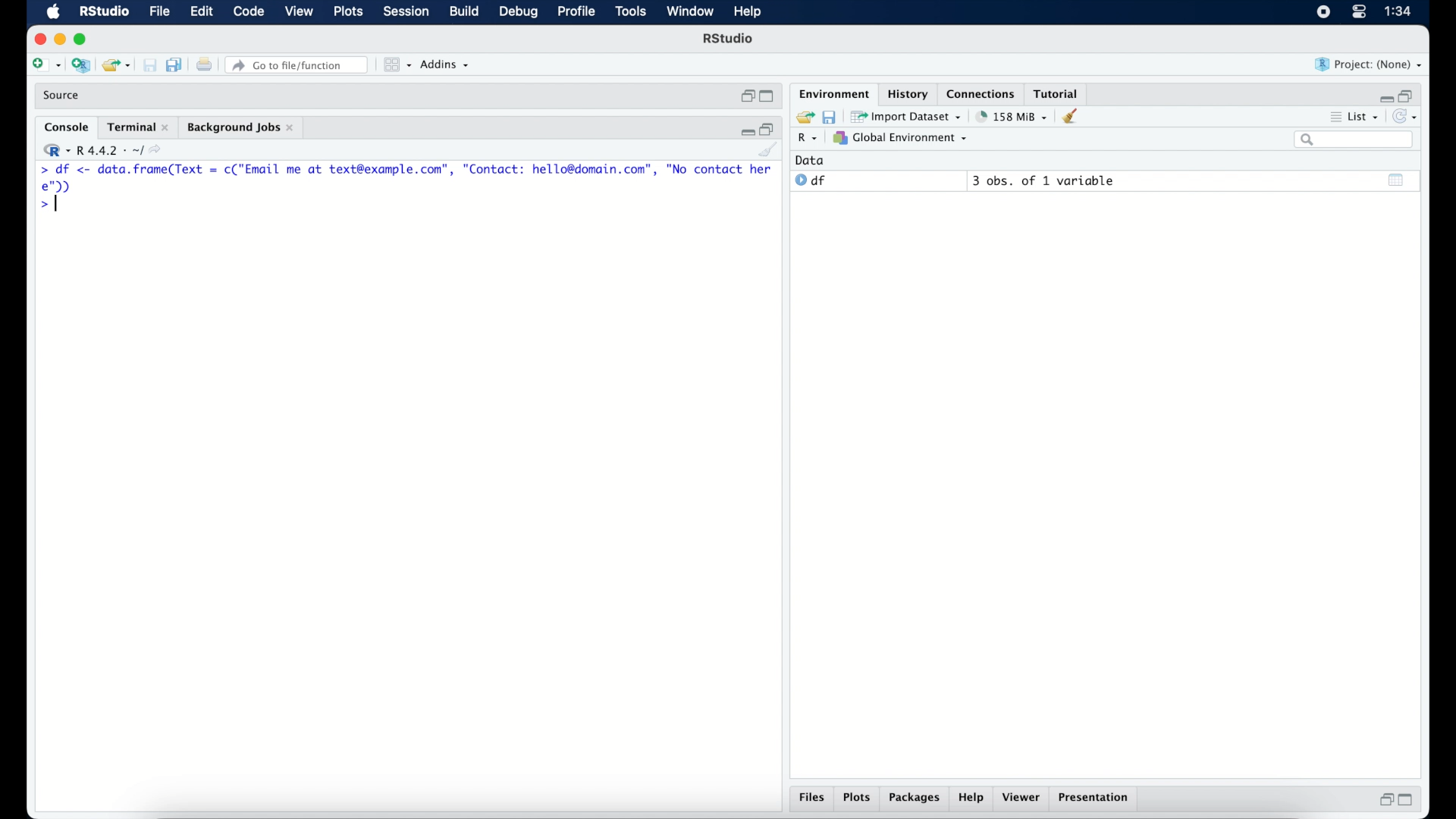 This screenshot has height=819, width=1456. What do you see at coordinates (1386, 96) in the screenshot?
I see `minimize` at bounding box center [1386, 96].